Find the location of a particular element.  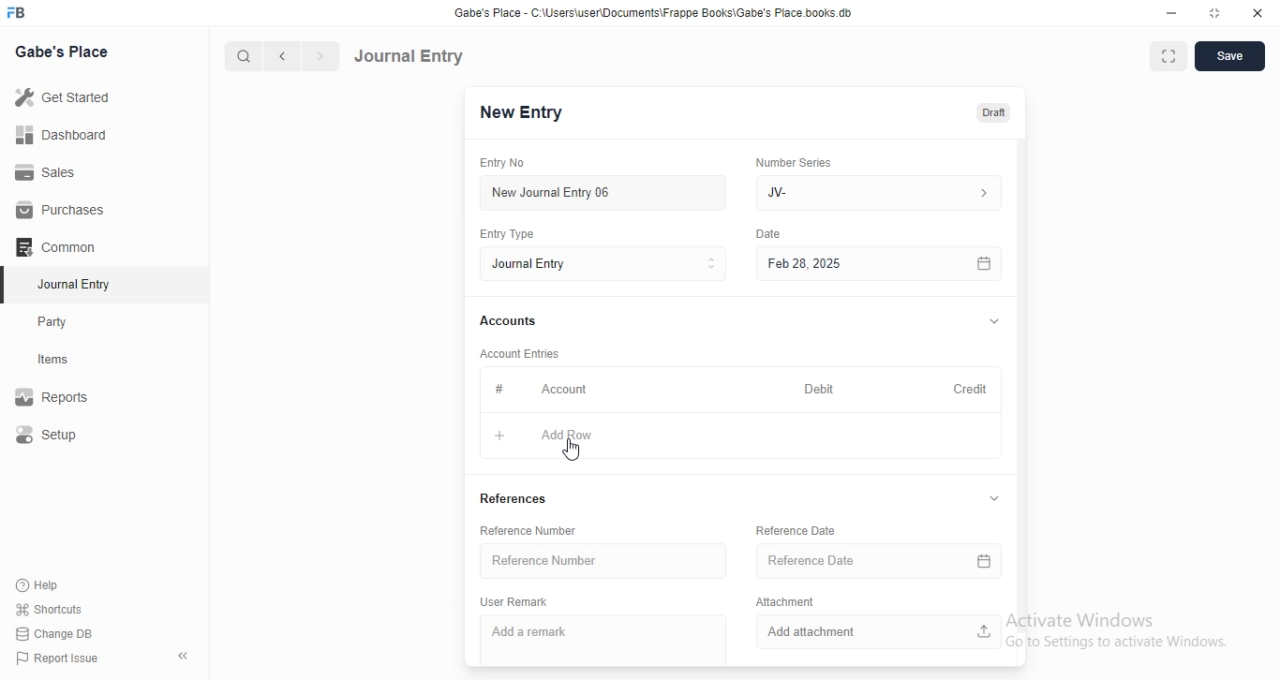

Feb 28, 2025 is located at coordinates (860, 263).